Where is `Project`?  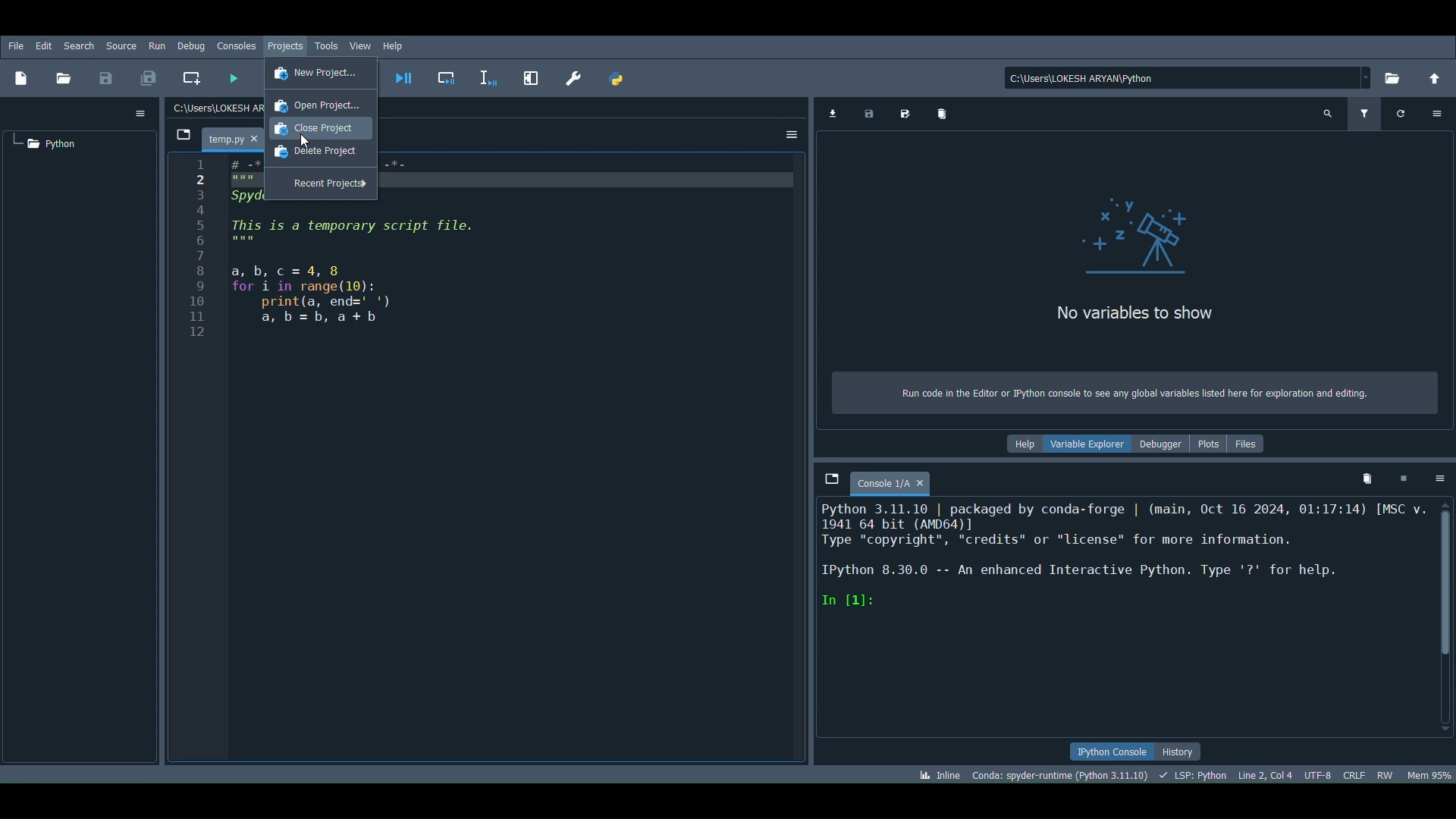 Project is located at coordinates (45, 145).